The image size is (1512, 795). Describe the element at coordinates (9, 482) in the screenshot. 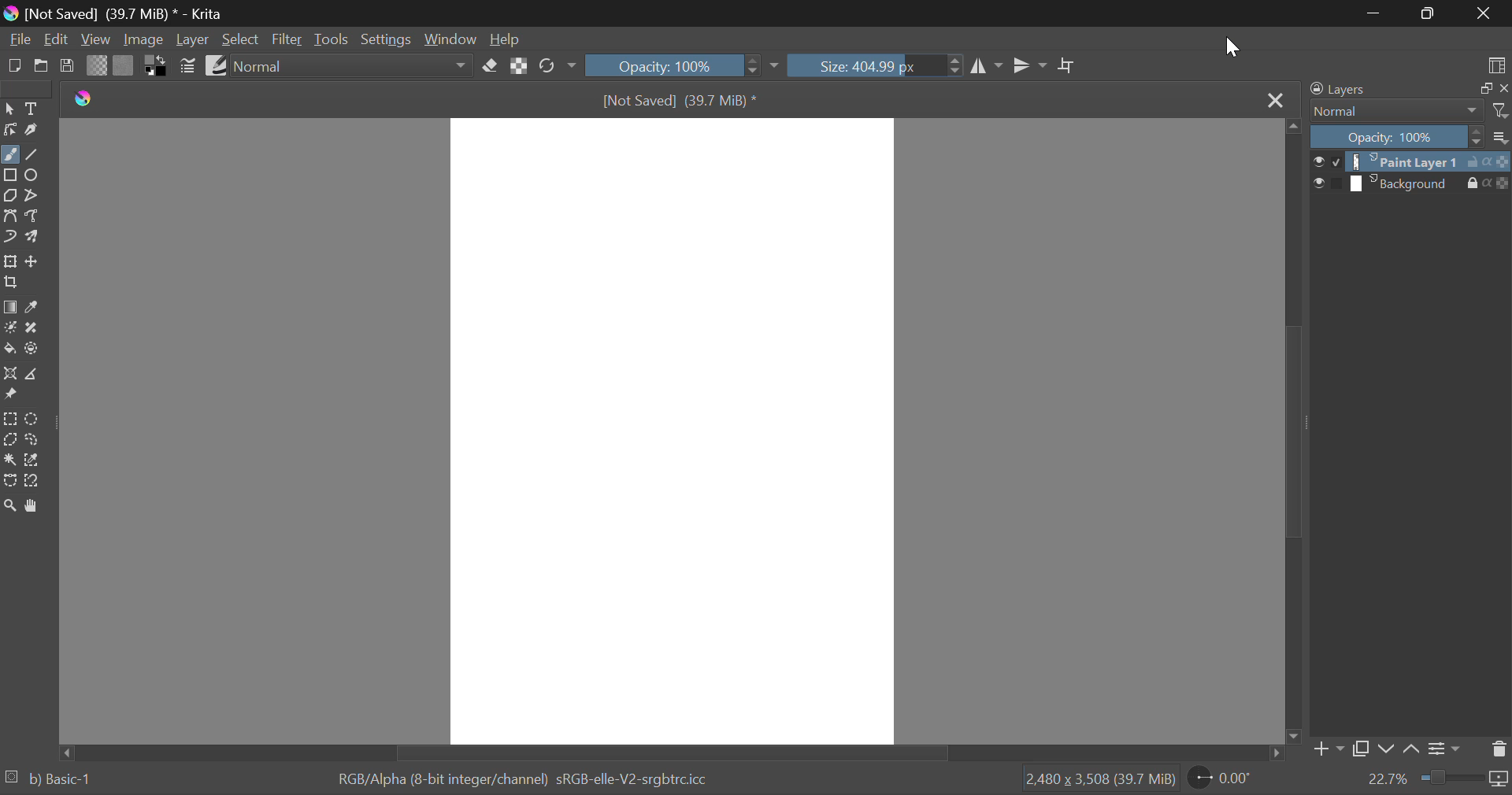

I see `Bezier Curve` at that location.